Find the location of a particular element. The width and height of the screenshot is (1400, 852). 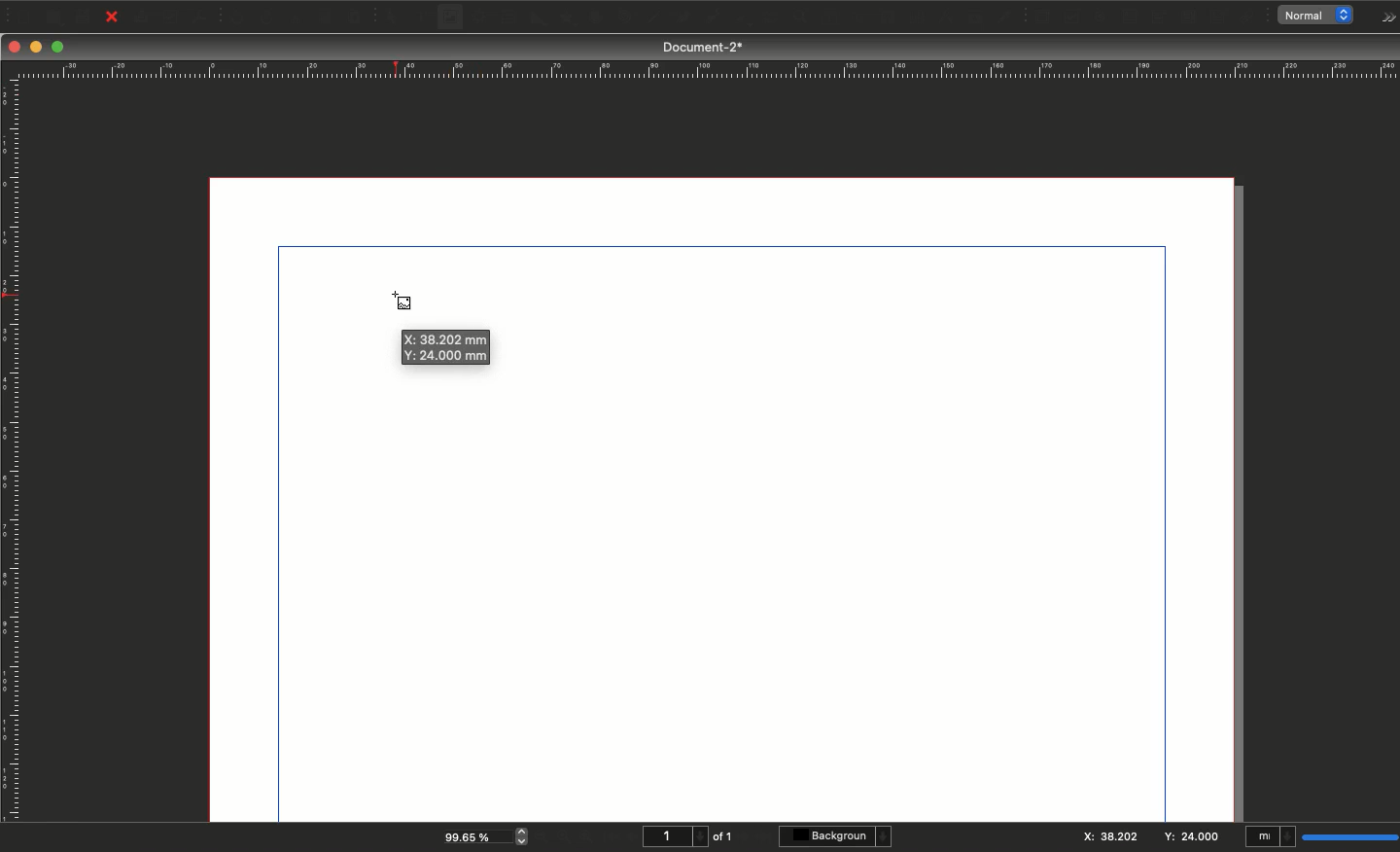

Shape is located at coordinates (540, 18).